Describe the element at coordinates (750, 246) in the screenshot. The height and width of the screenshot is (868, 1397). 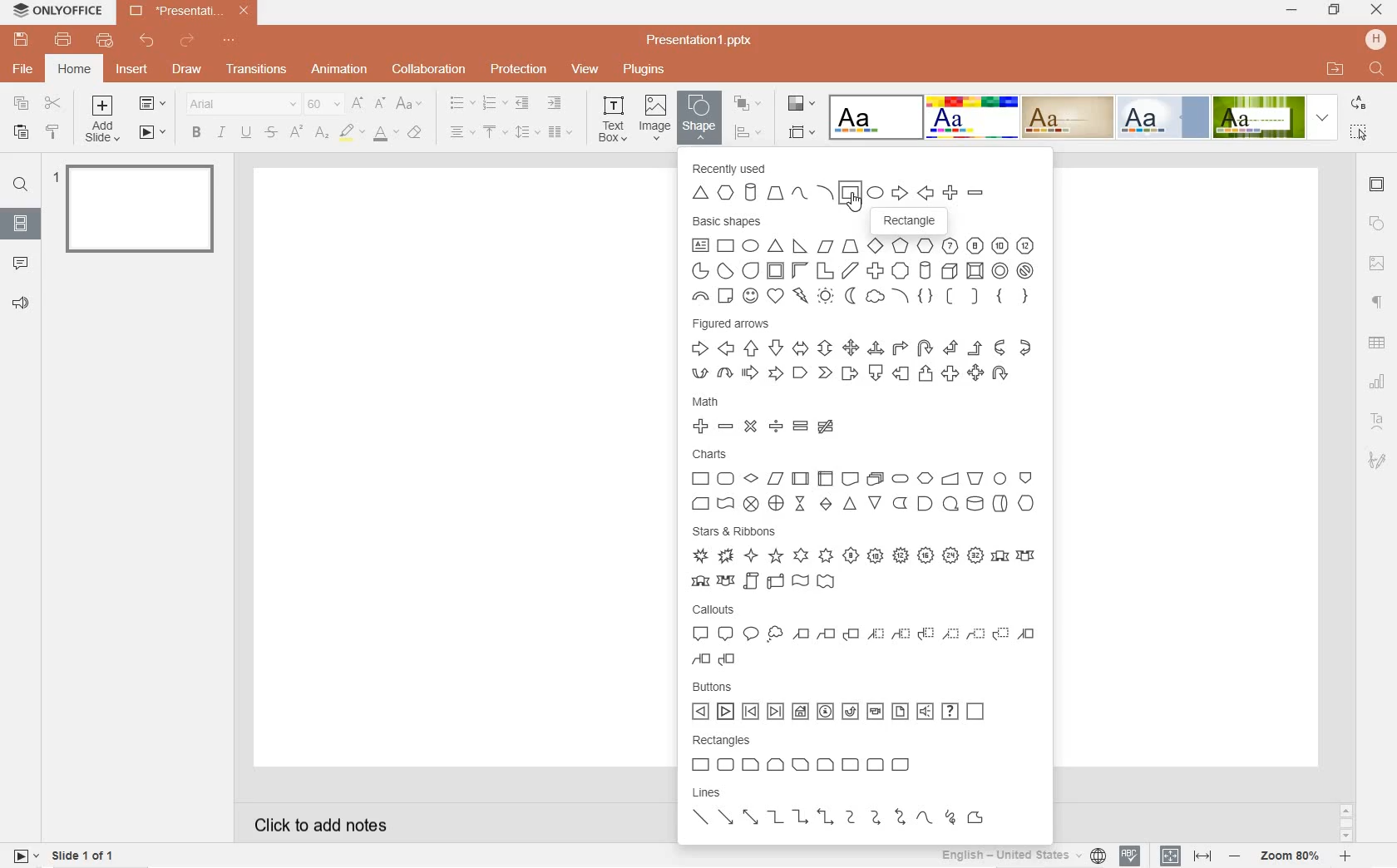
I see `Ellipse` at that location.